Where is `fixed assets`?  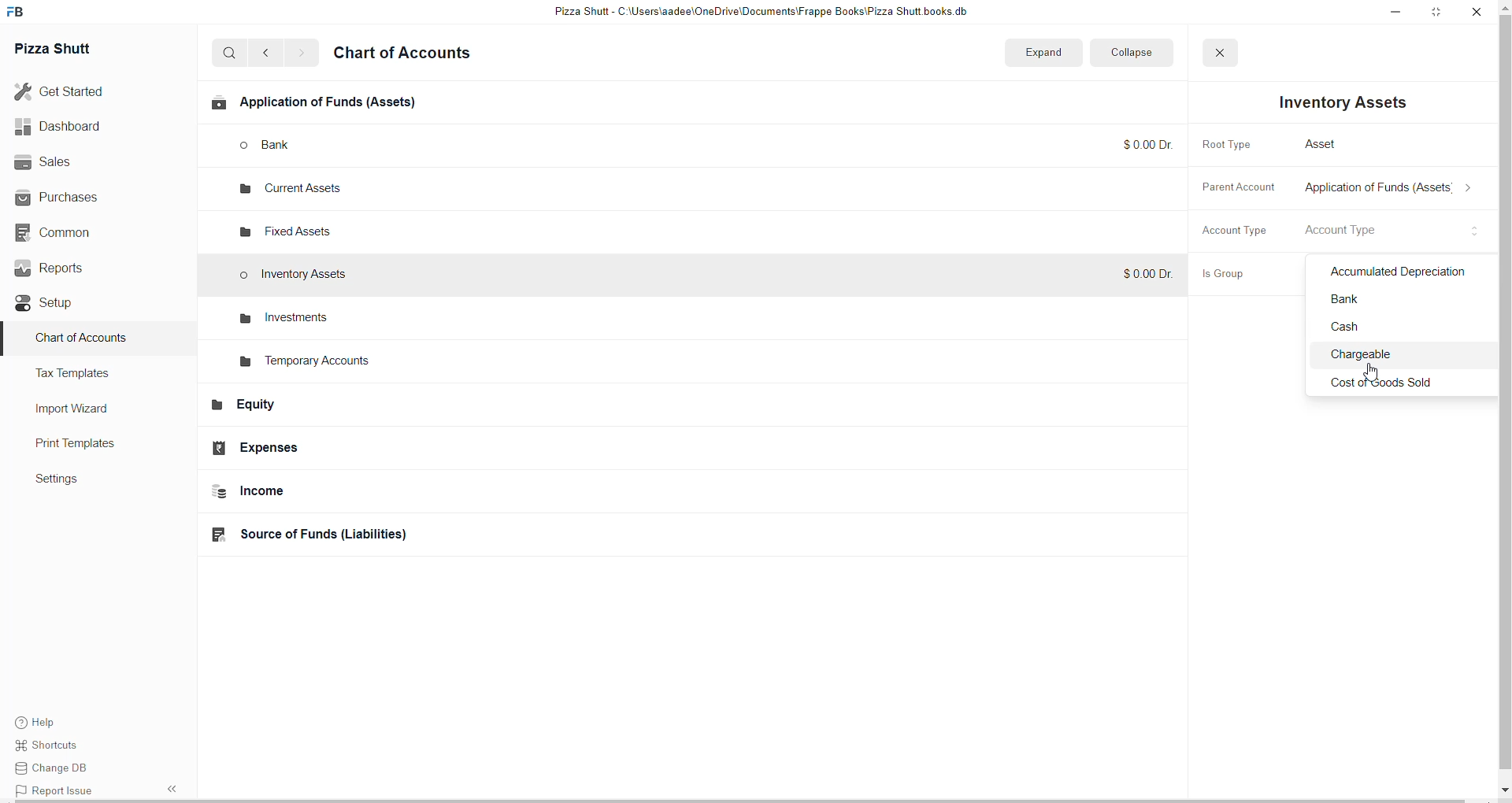
fixed assets is located at coordinates (291, 228).